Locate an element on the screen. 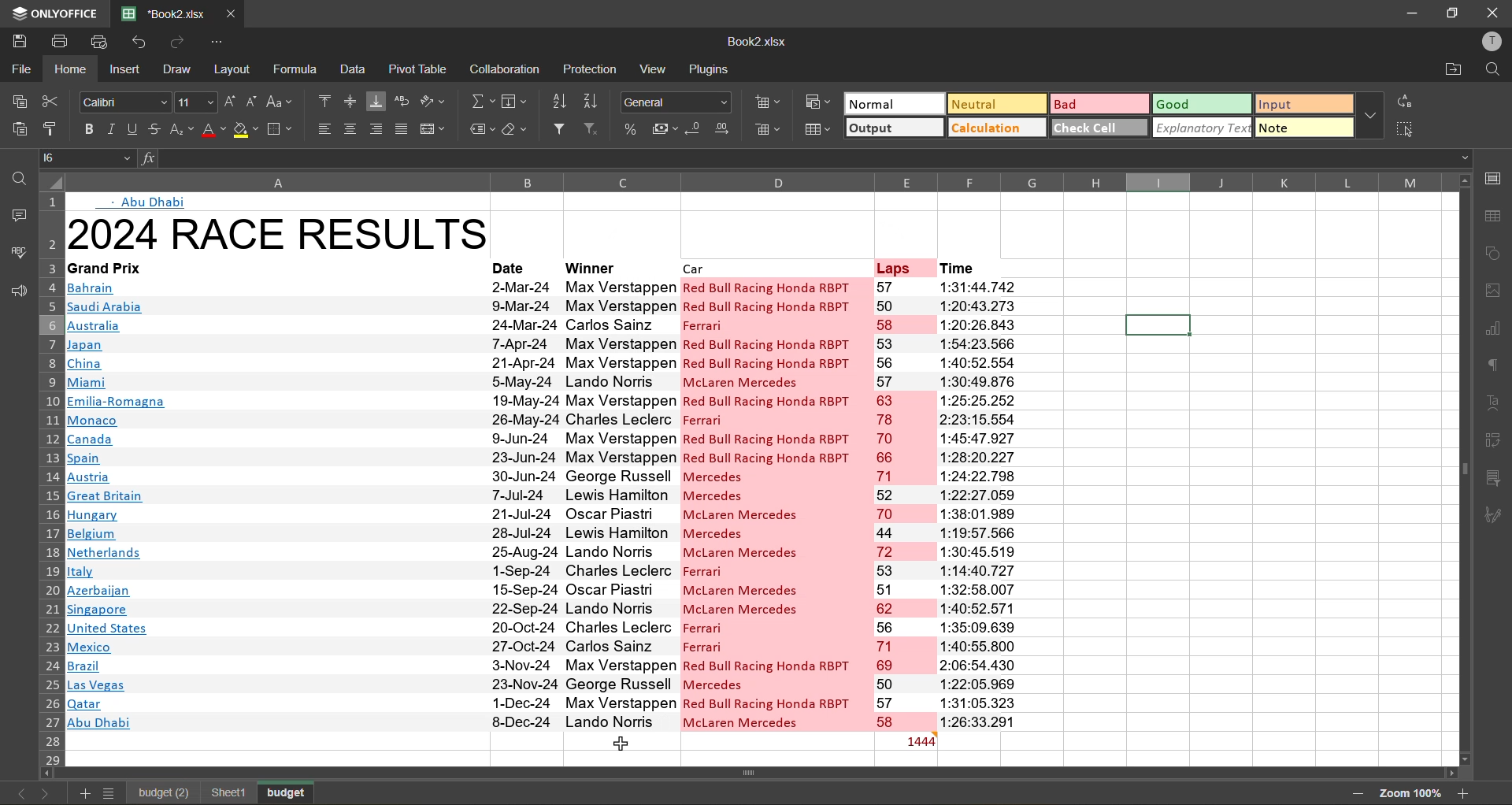 This screenshot has width=1512, height=805. undo is located at coordinates (140, 44).